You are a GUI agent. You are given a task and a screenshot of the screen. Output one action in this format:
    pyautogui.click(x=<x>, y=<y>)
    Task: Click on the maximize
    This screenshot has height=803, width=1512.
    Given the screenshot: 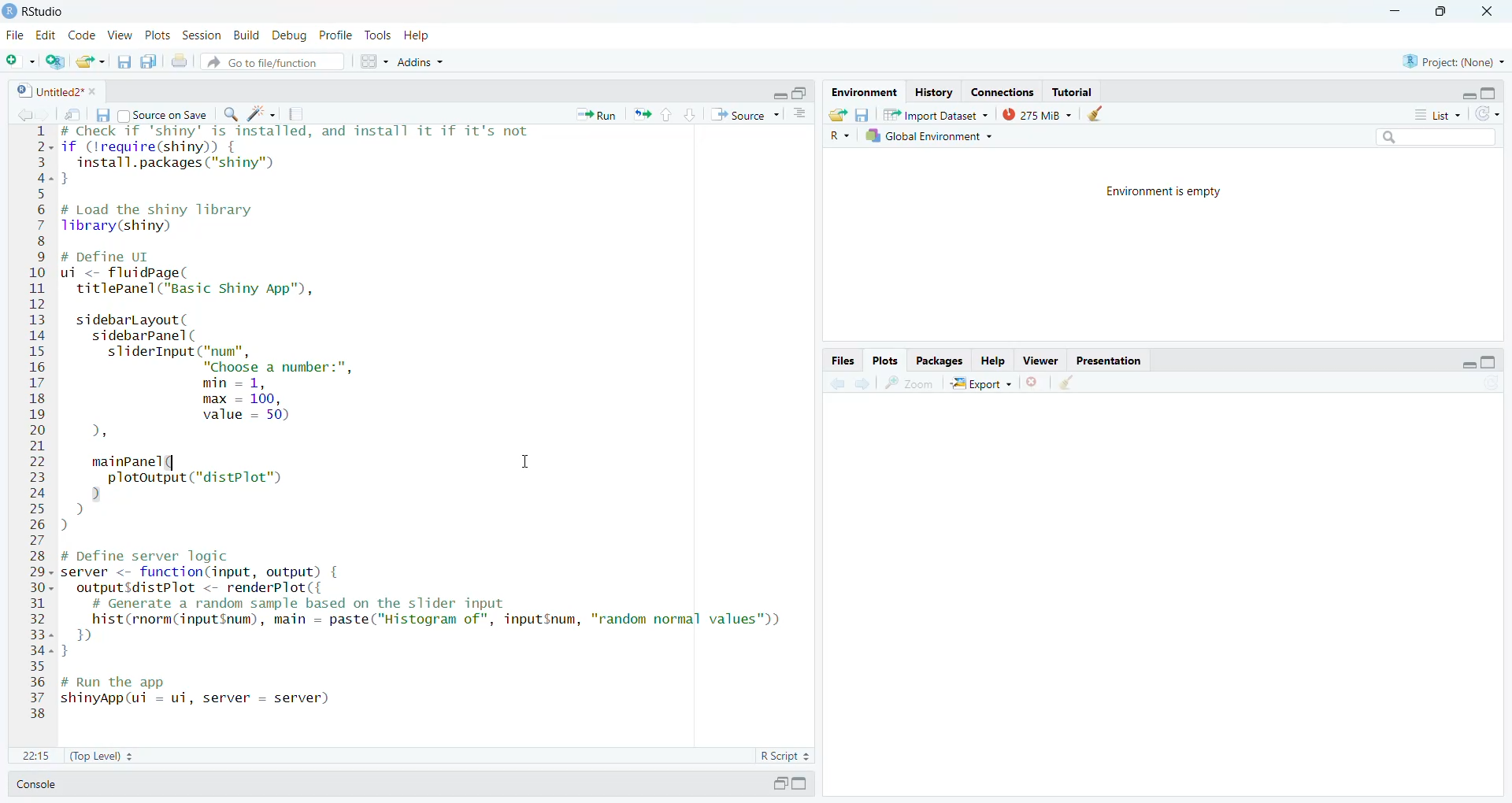 What is the action you would take?
    pyautogui.click(x=801, y=783)
    